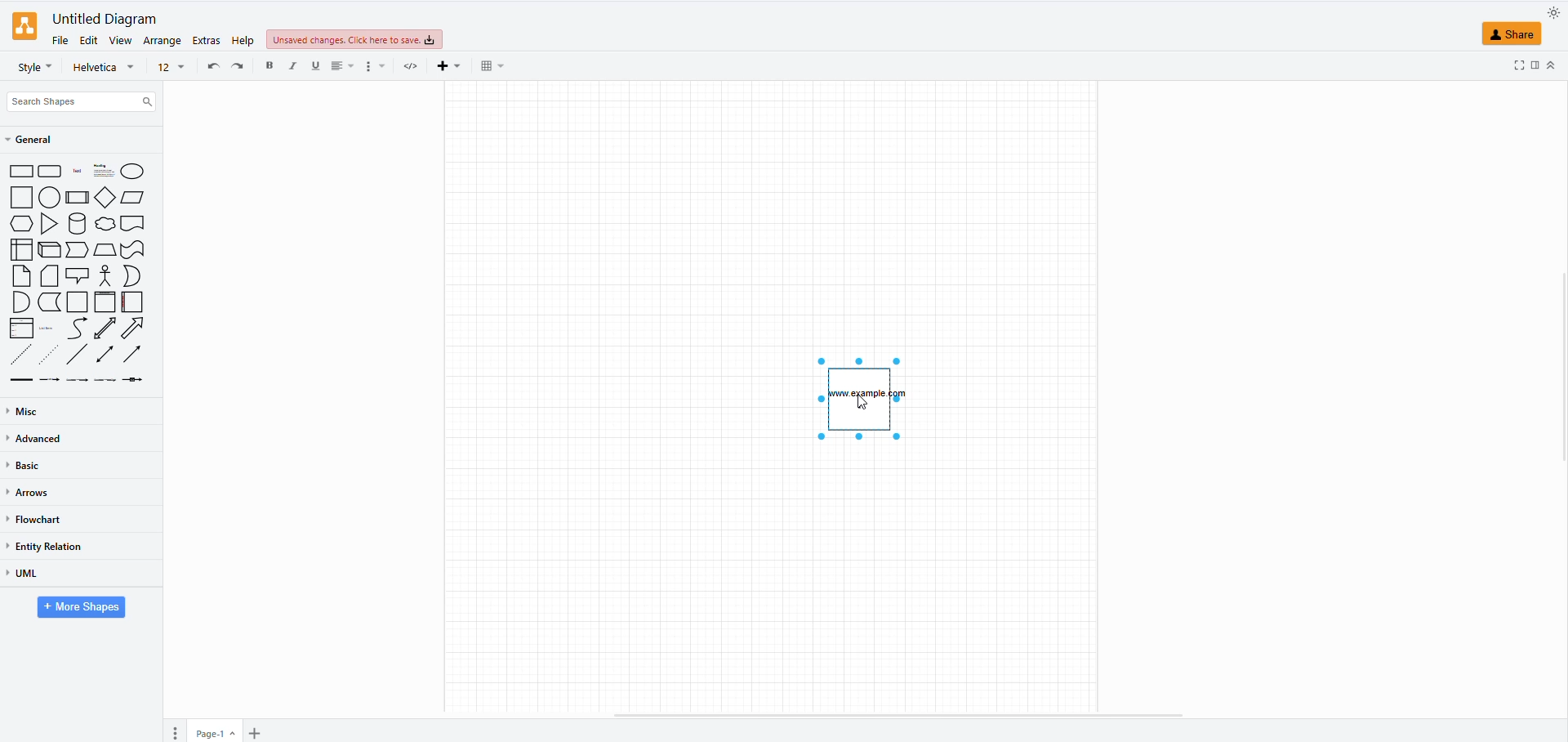 The image size is (1568, 742). Describe the element at coordinates (105, 329) in the screenshot. I see `bidirectional arrow` at that location.